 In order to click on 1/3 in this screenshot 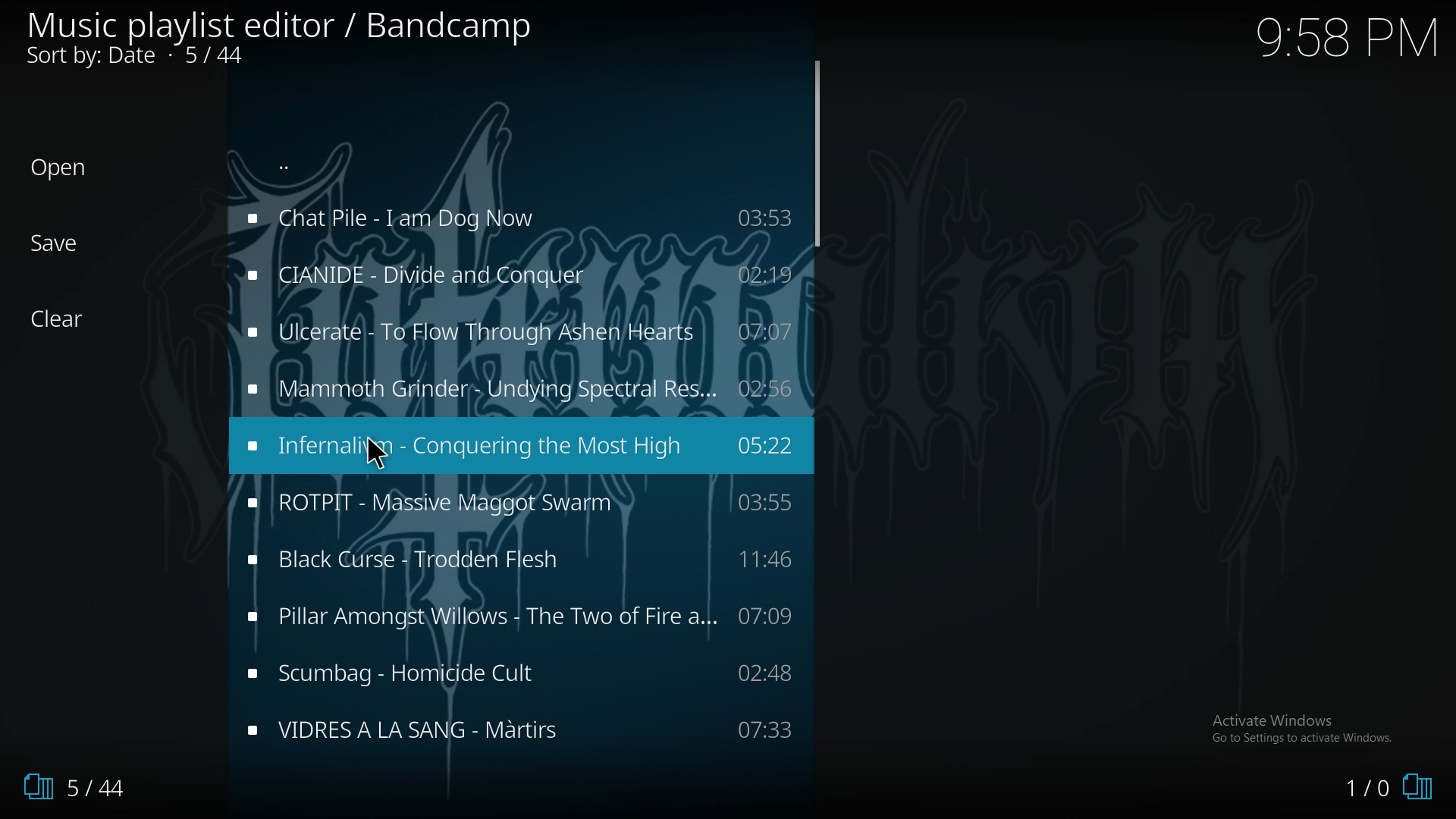, I will do `click(68, 787)`.